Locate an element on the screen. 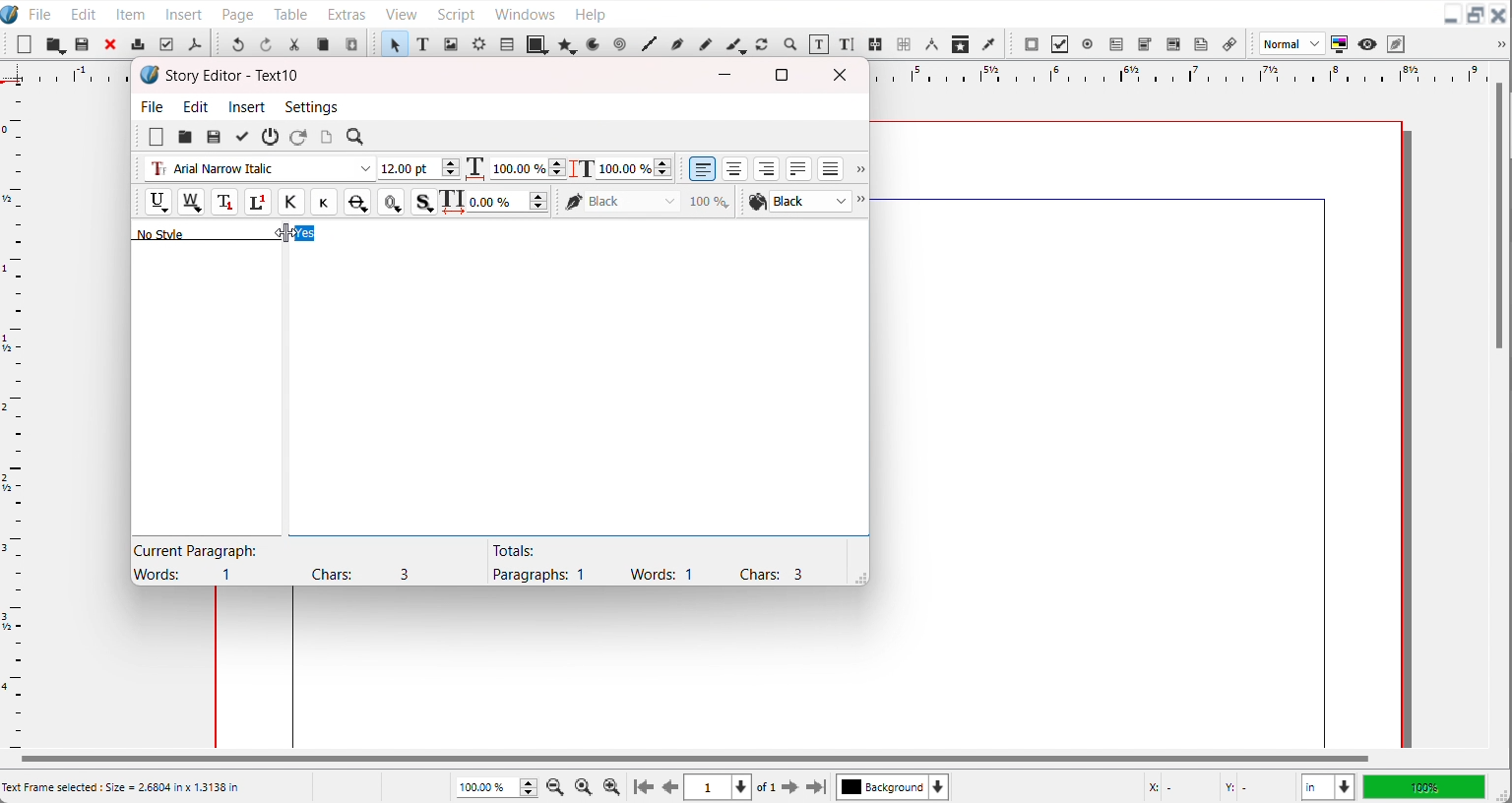  Text Frame is located at coordinates (423, 43).